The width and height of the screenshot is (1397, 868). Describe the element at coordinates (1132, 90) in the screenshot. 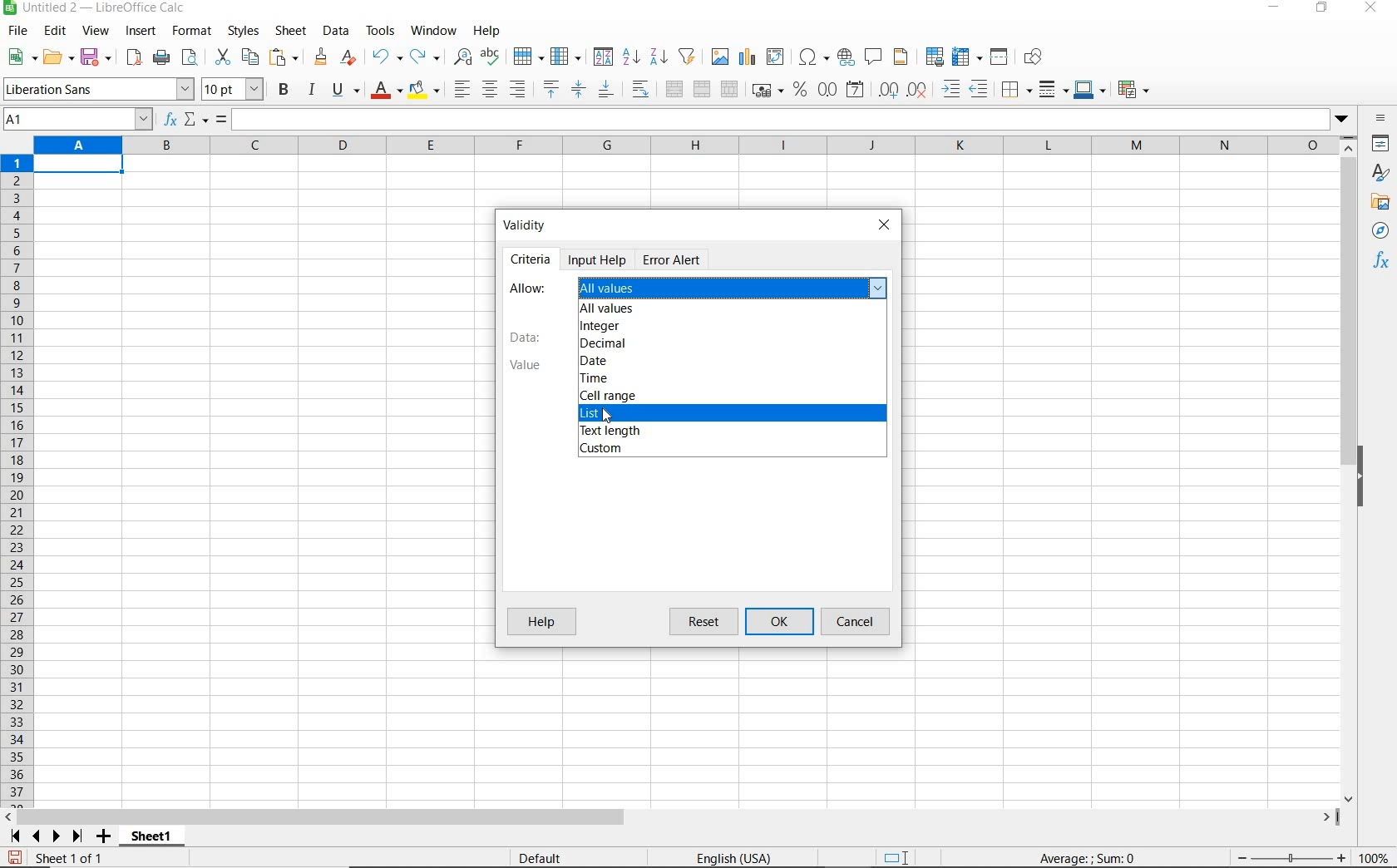

I see `coditional` at that location.